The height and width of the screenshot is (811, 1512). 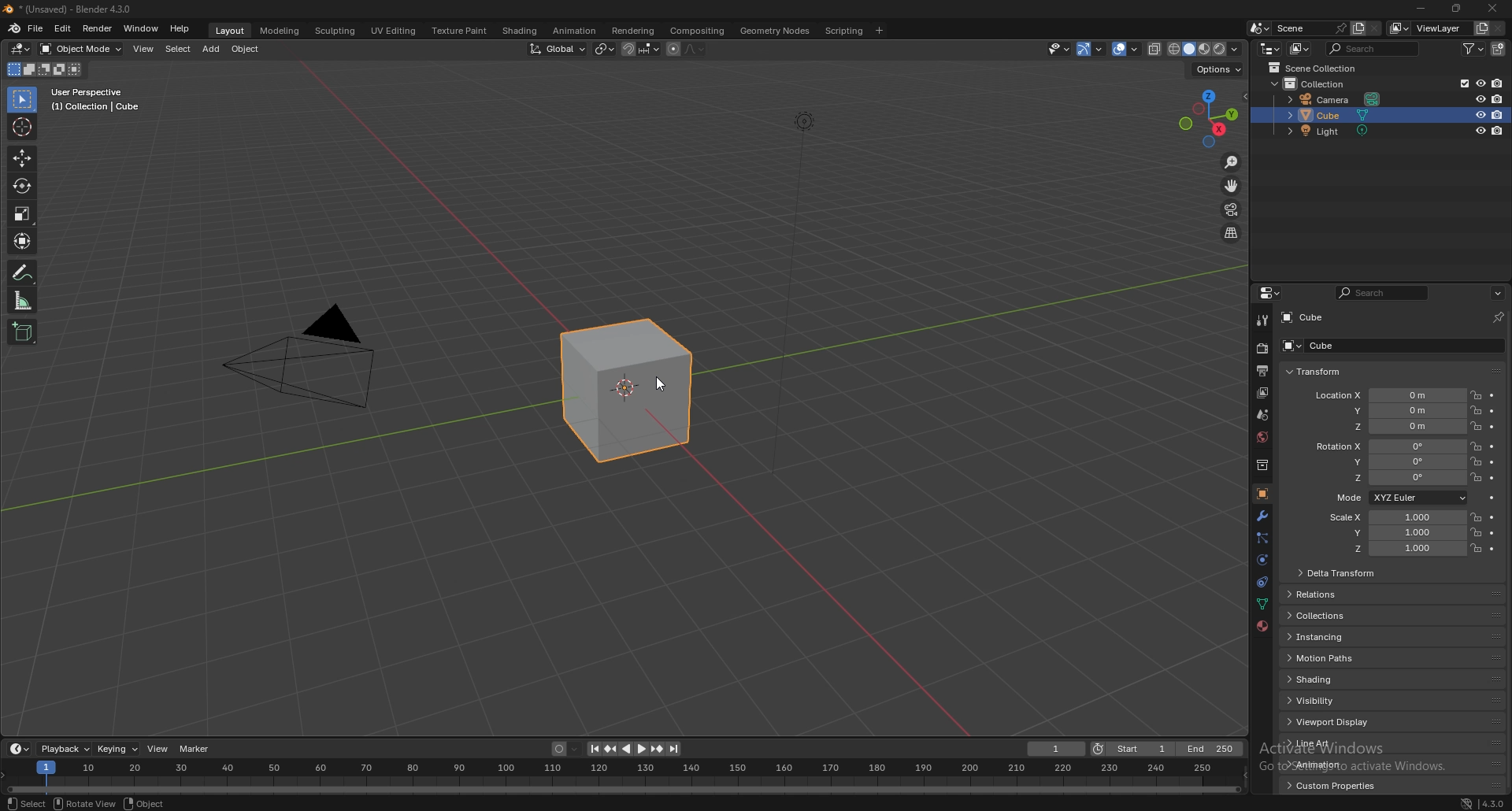 I want to click on scripting, so click(x=846, y=31).